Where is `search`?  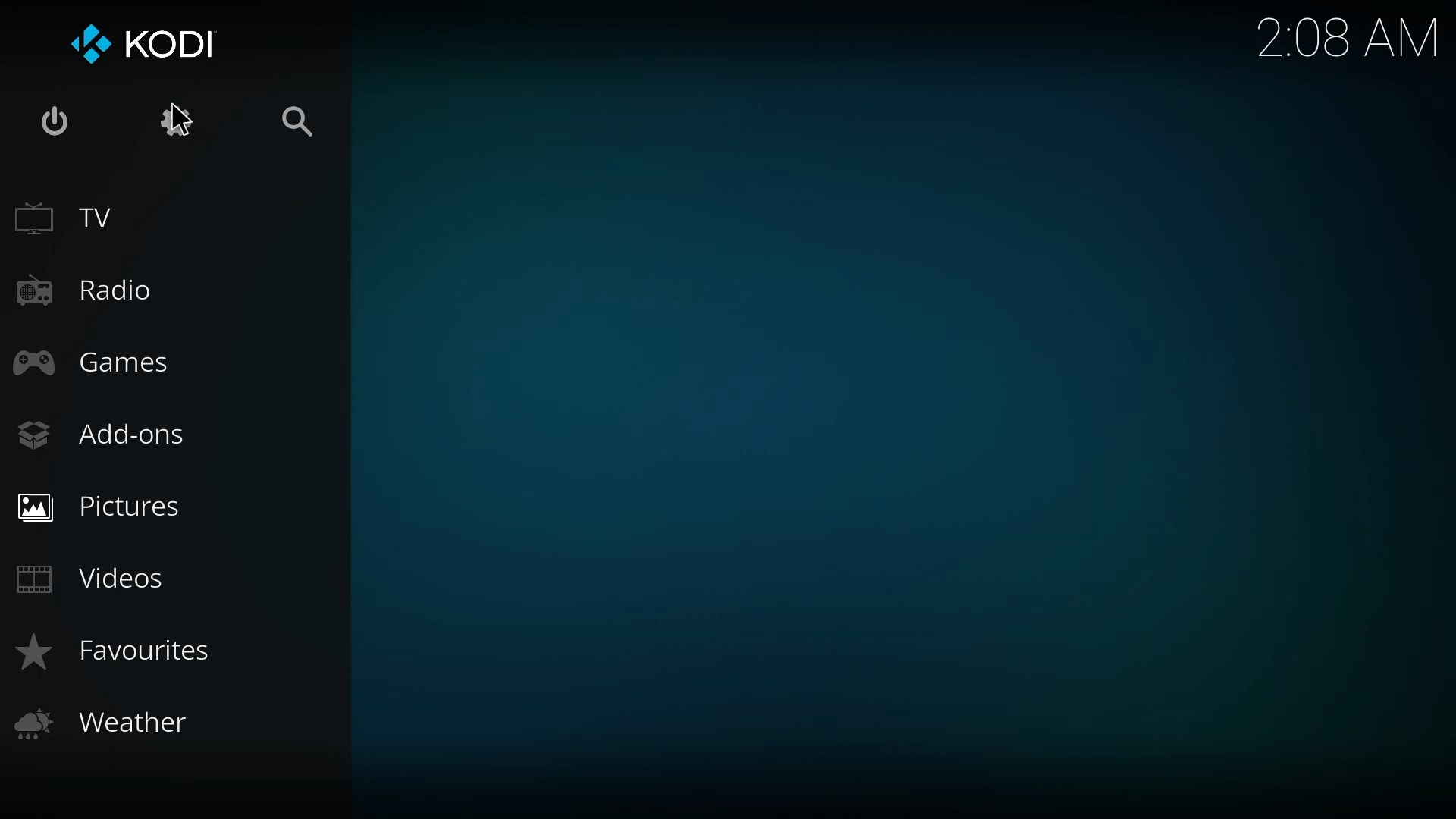 search is located at coordinates (297, 124).